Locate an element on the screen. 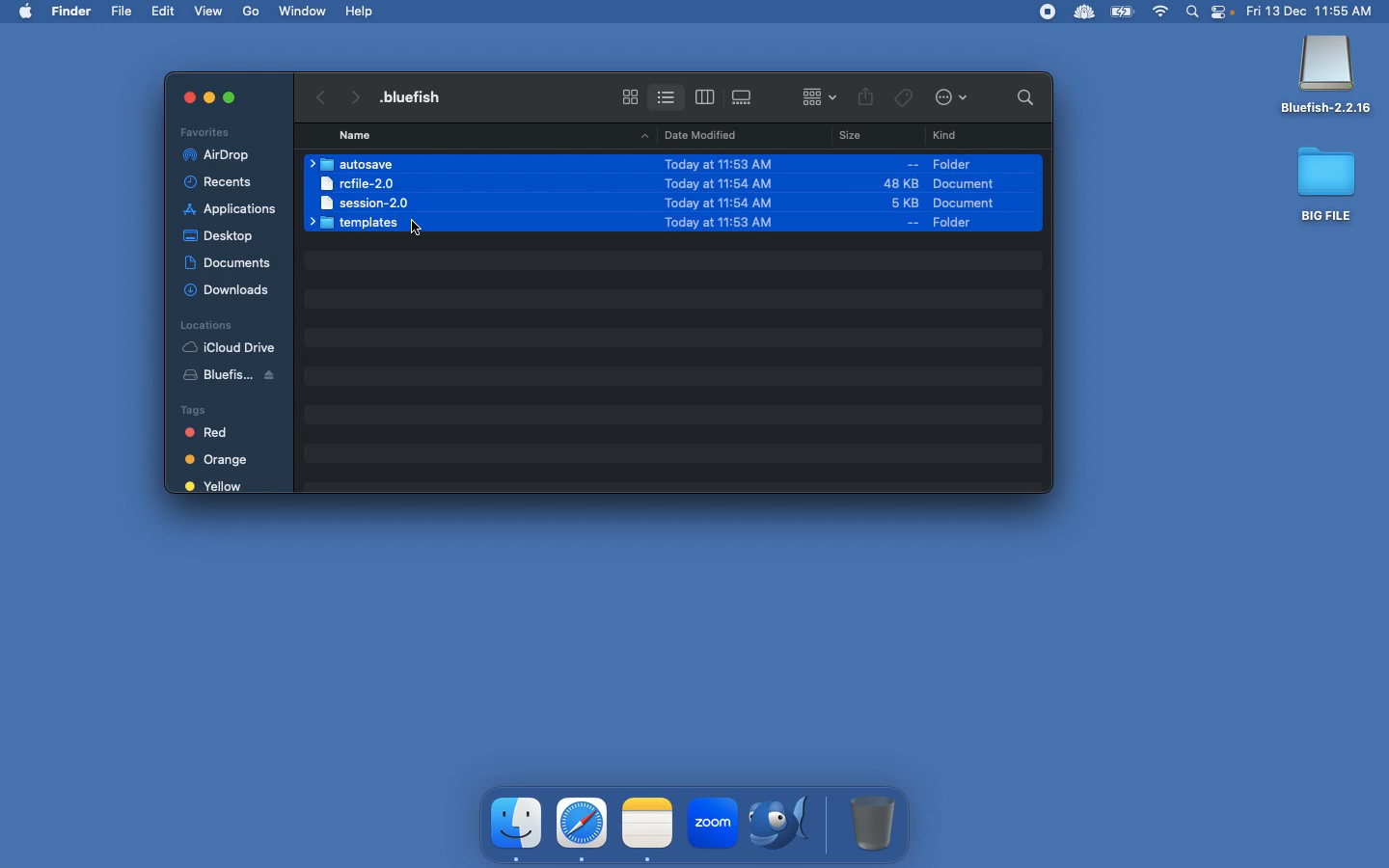  Locations is located at coordinates (205, 324).